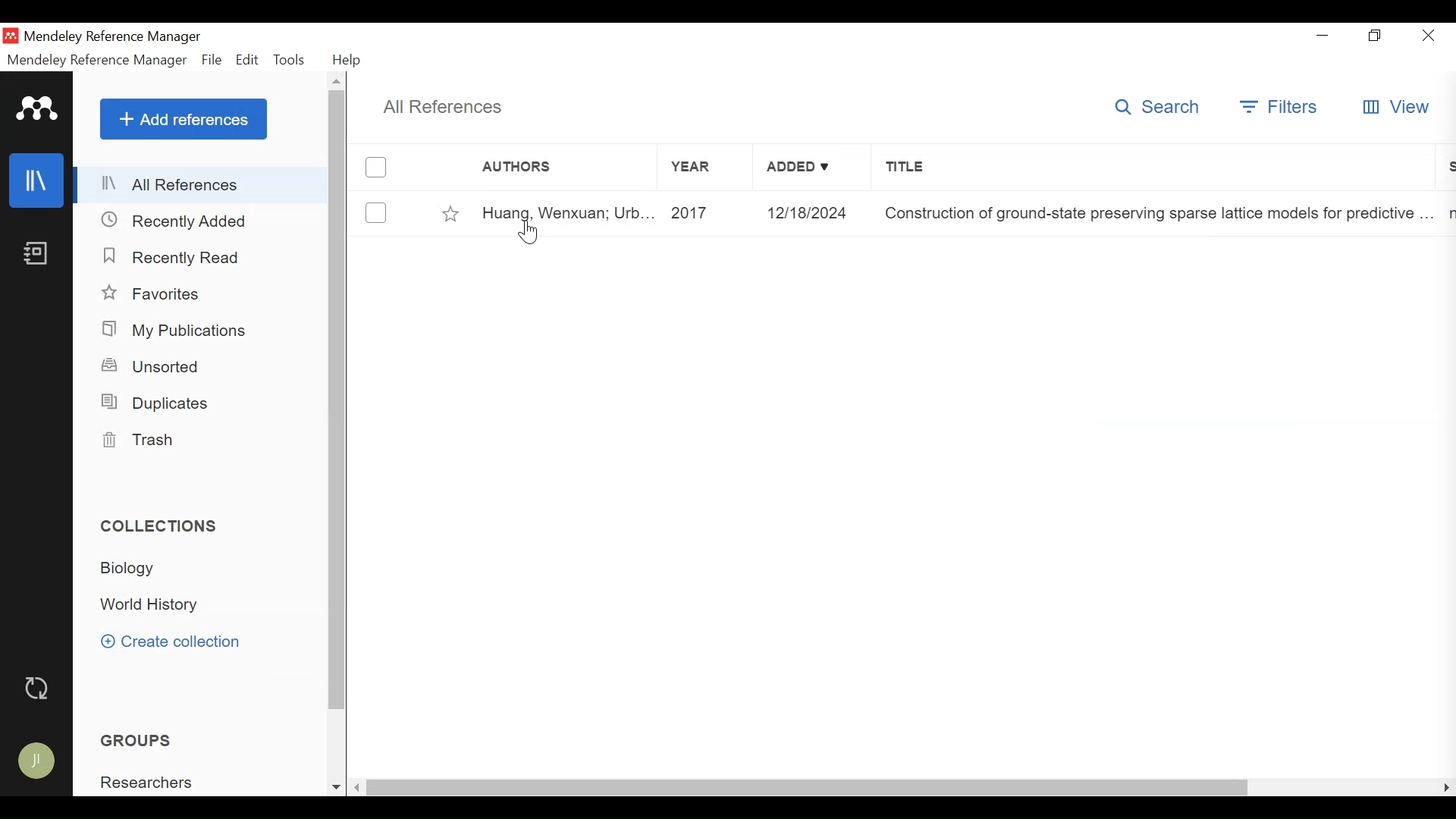 The image size is (1456, 819). What do you see at coordinates (706, 165) in the screenshot?
I see `Year` at bounding box center [706, 165].